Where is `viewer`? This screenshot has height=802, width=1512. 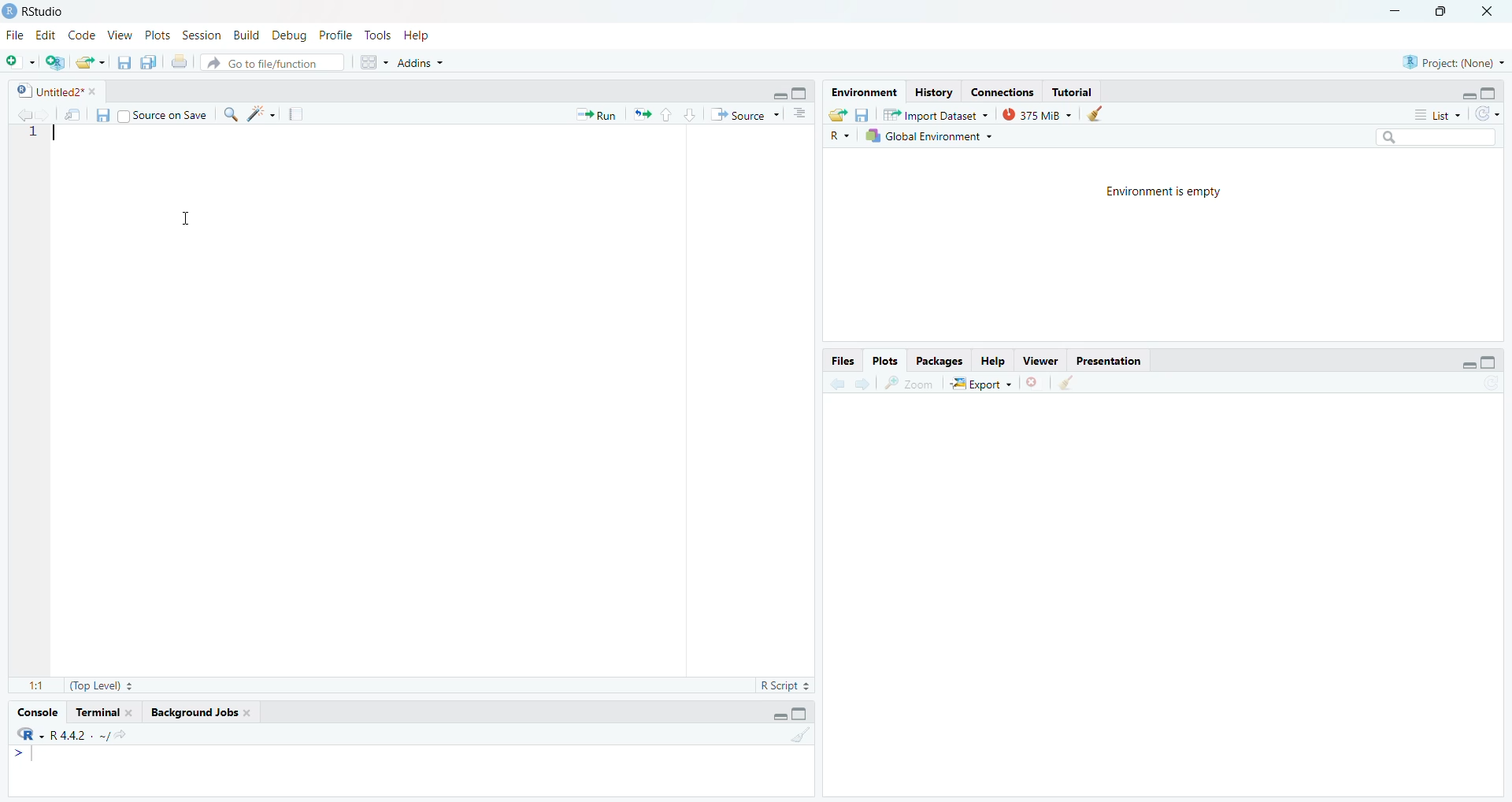 viewer is located at coordinates (1042, 360).